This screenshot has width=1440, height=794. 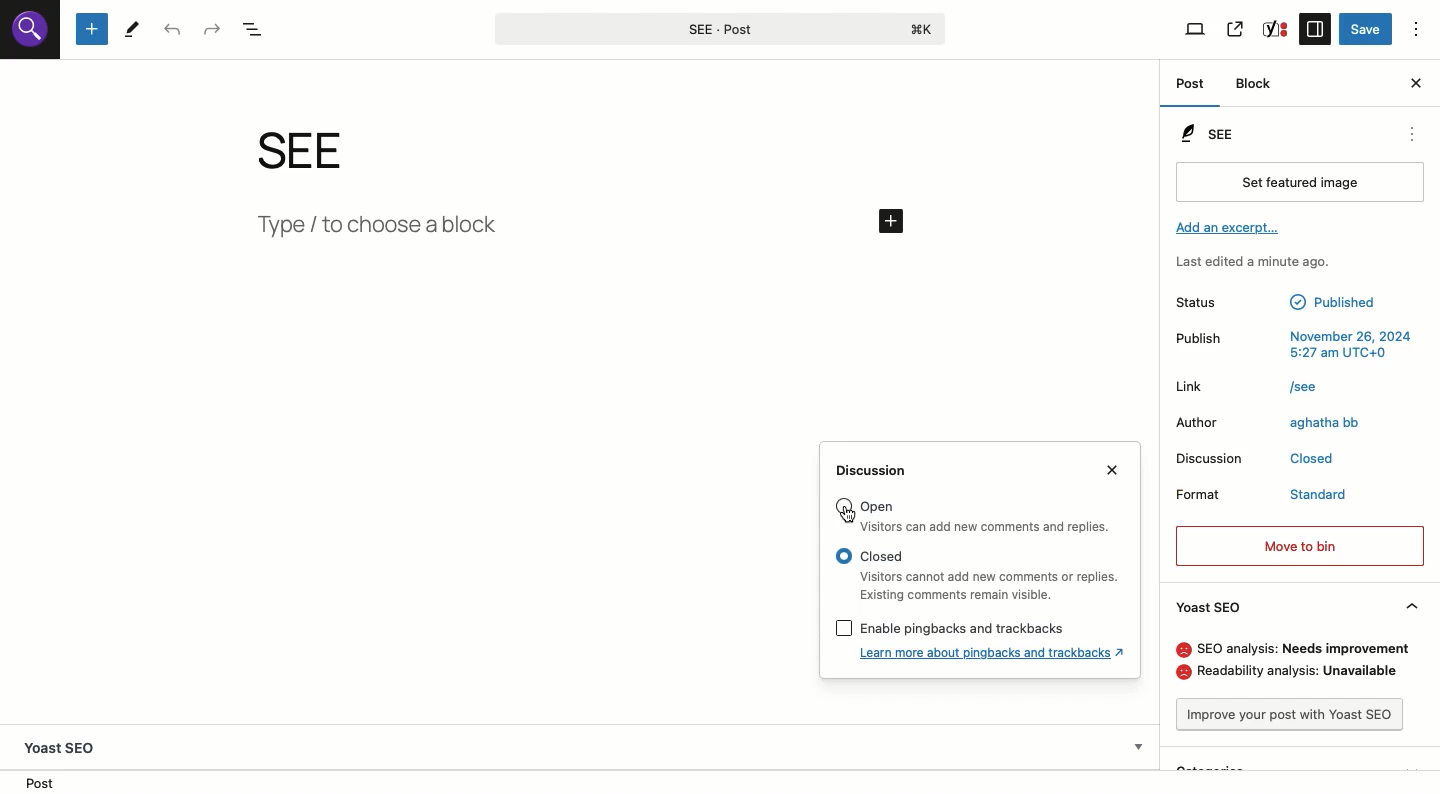 I want to click on see, so click(x=322, y=150).